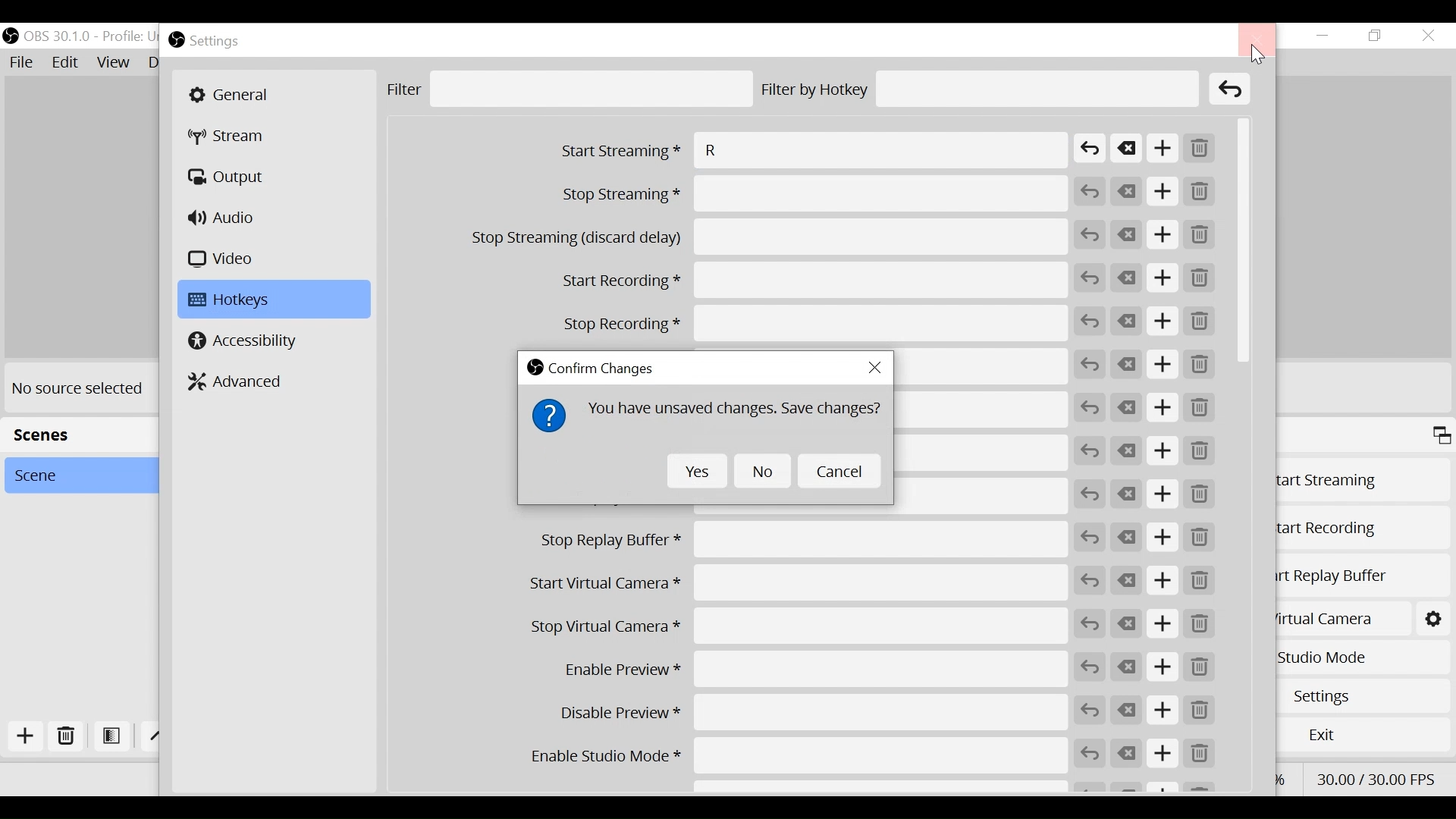 Image resolution: width=1456 pixels, height=819 pixels. I want to click on OBS Version, so click(60, 37).